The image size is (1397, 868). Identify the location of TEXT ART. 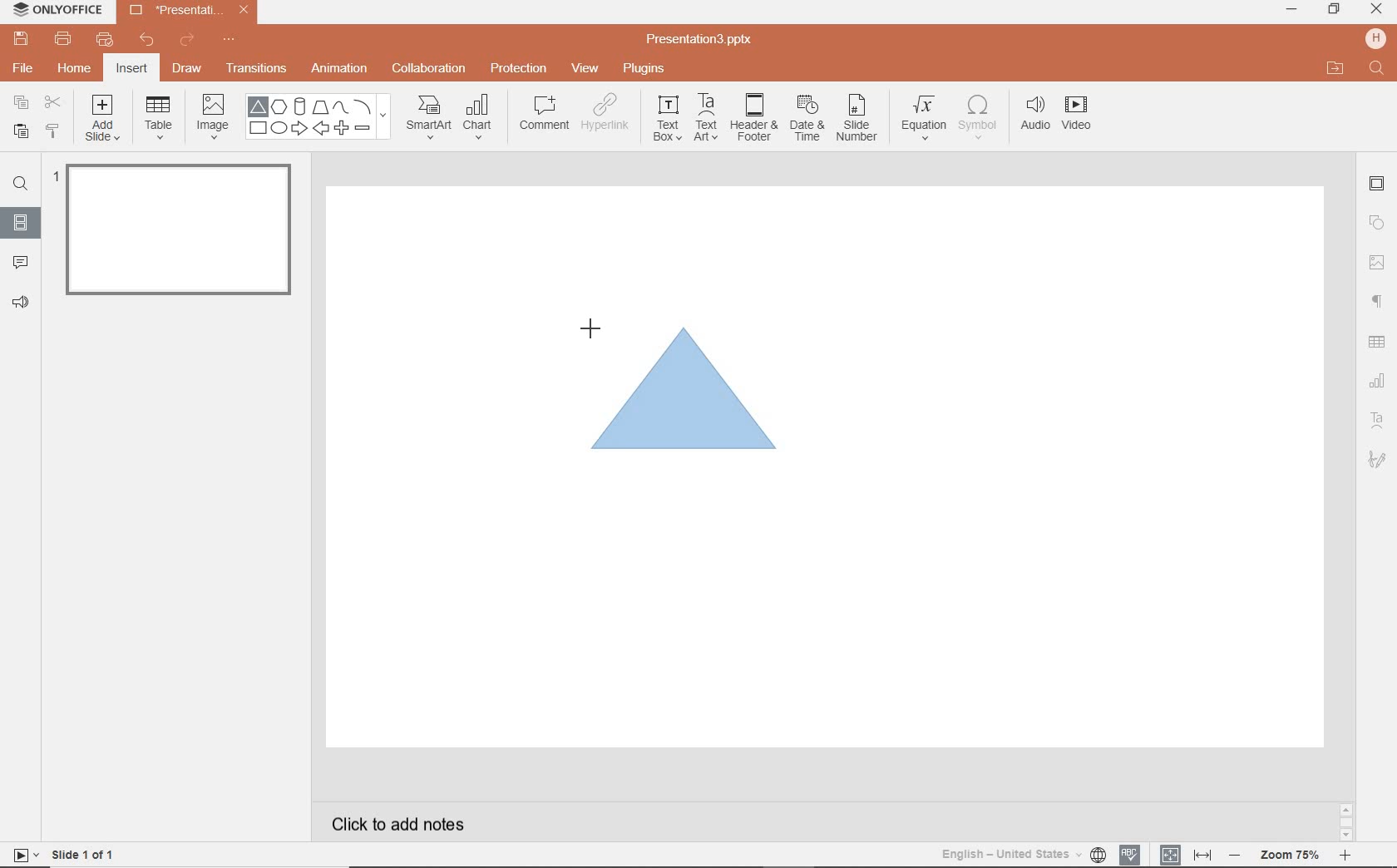
(704, 119).